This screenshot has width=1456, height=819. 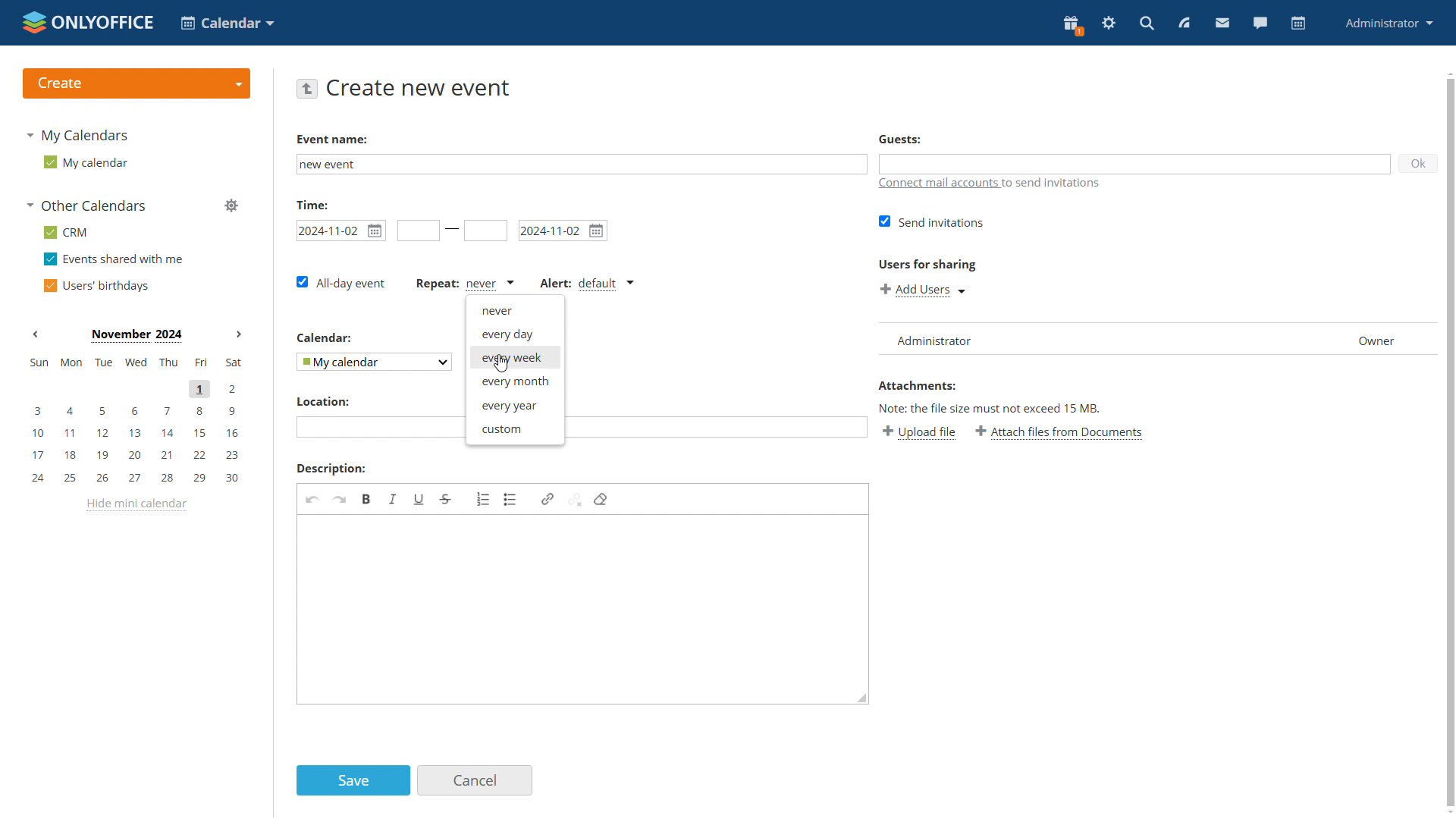 What do you see at coordinates (140, 505) in the screenshot?
I see `hide mini calendar` at bounding box center [140, 505].